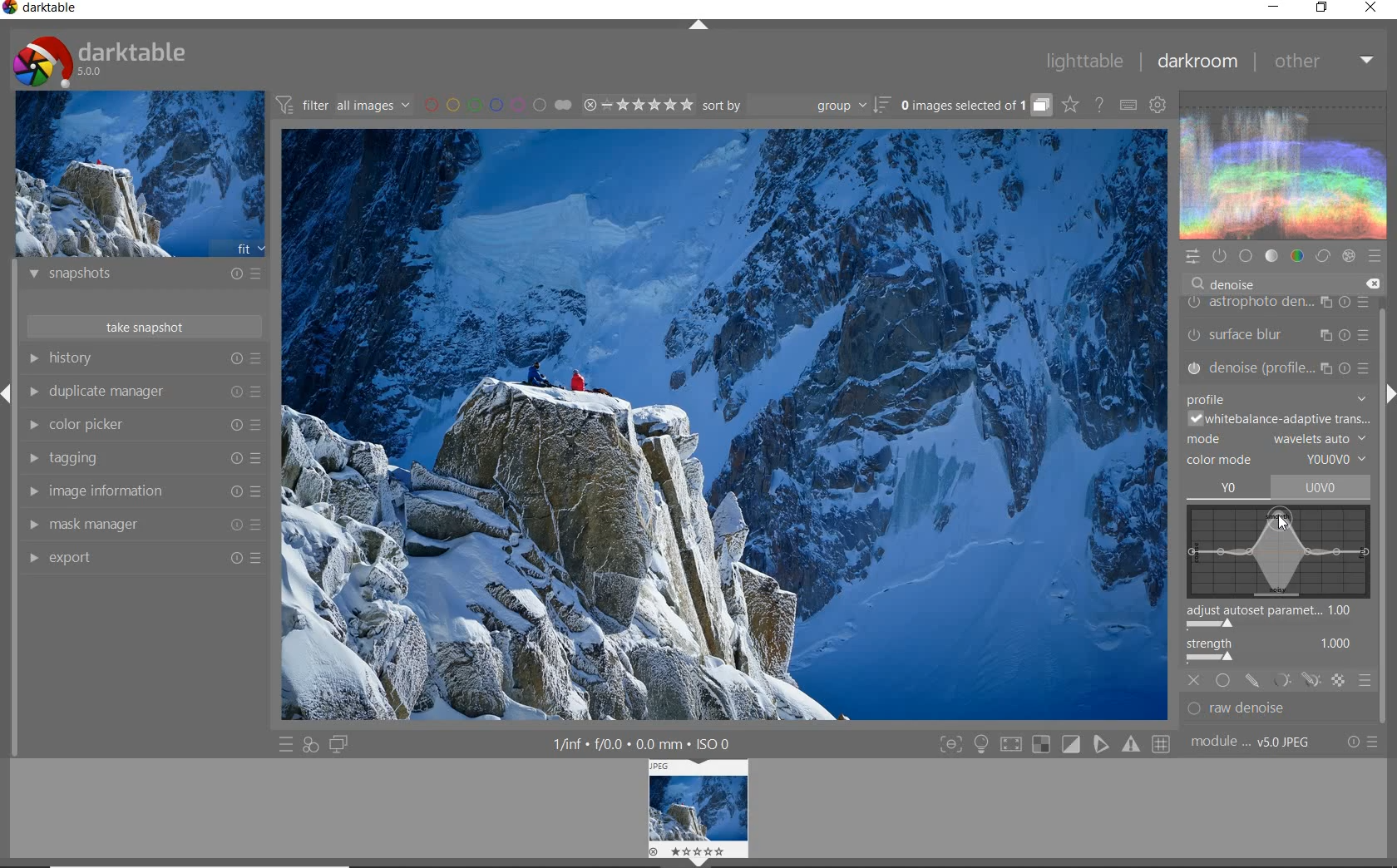  What do you see at coordinates (1069, 106) in the screenshot?
I see `click to change overlays on thumbnails` at bounding box center [1069, 106].